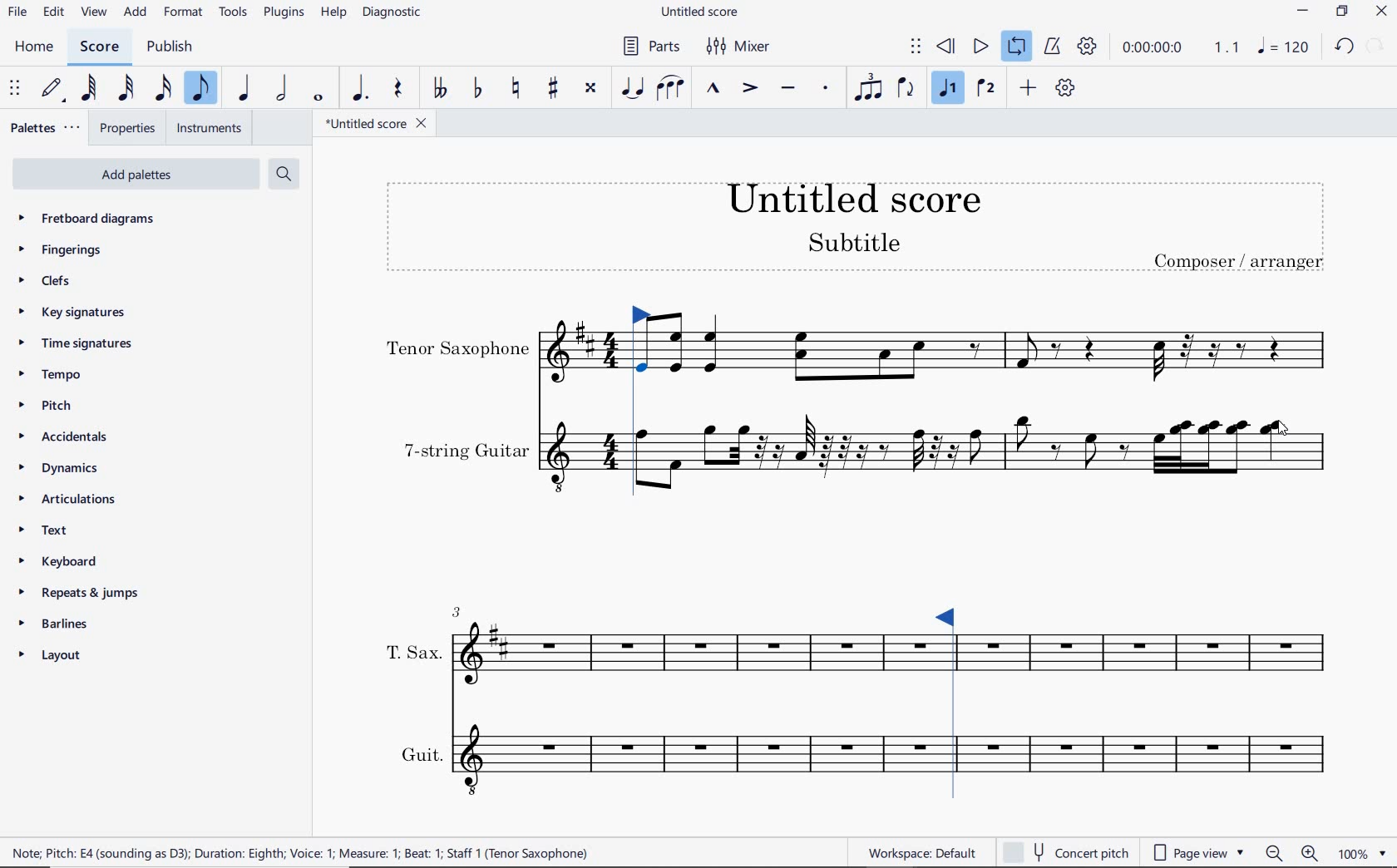  Describe the element at coordinates (650, 46) in the screenshot. I see `PARTS` at that location.